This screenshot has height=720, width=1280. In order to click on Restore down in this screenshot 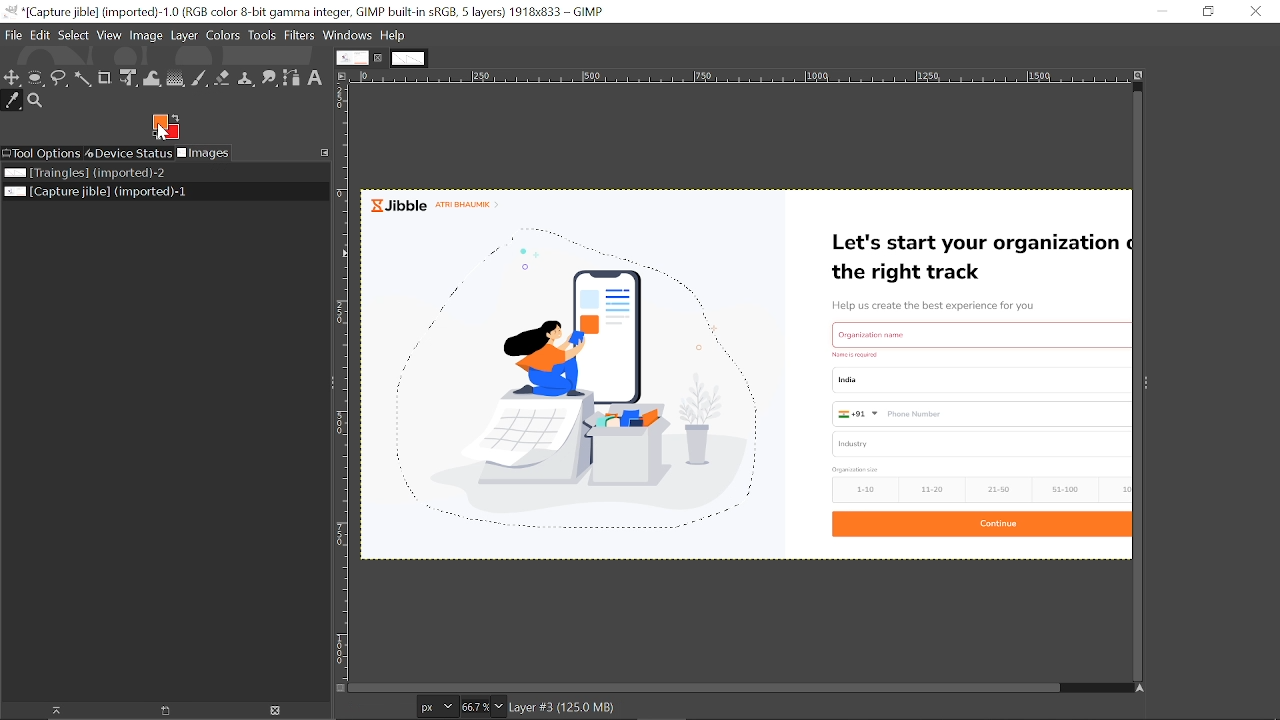, I will do `click(1210, 12)`.